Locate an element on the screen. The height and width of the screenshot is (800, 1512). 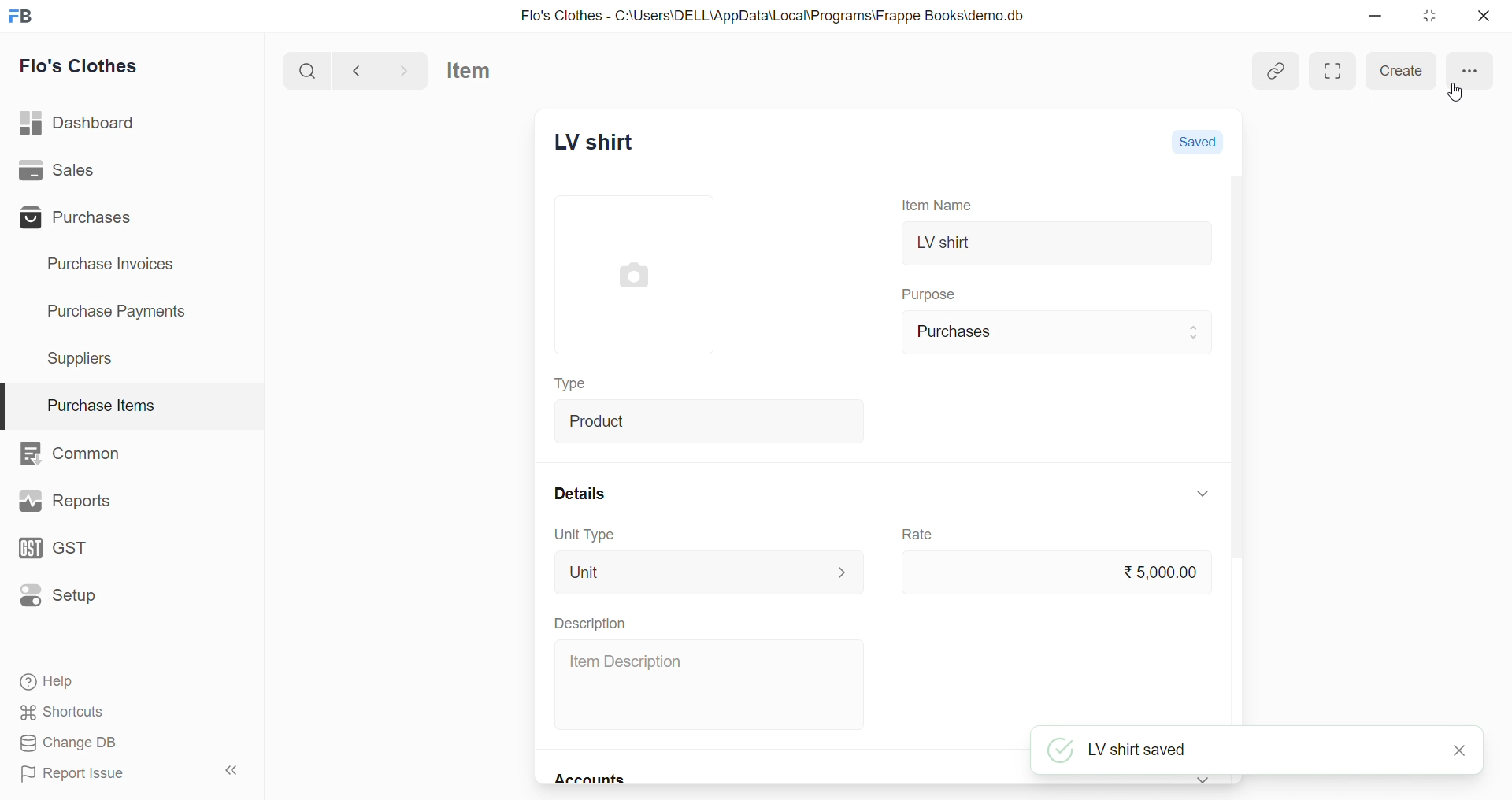
expand/collapse is located at coordinates (1203, 493).